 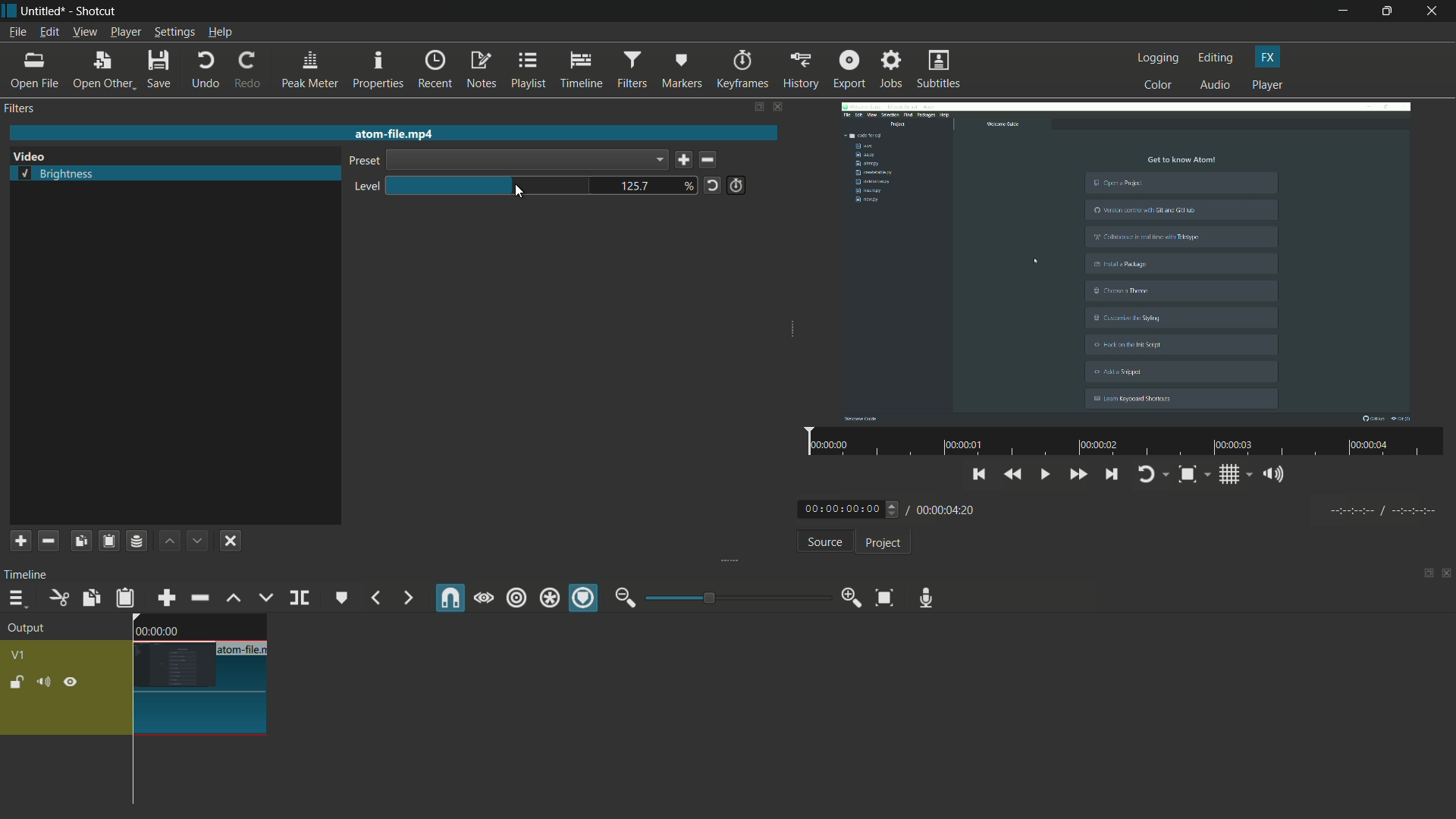 I want to click on move filter down, so click(x=199, y=541).